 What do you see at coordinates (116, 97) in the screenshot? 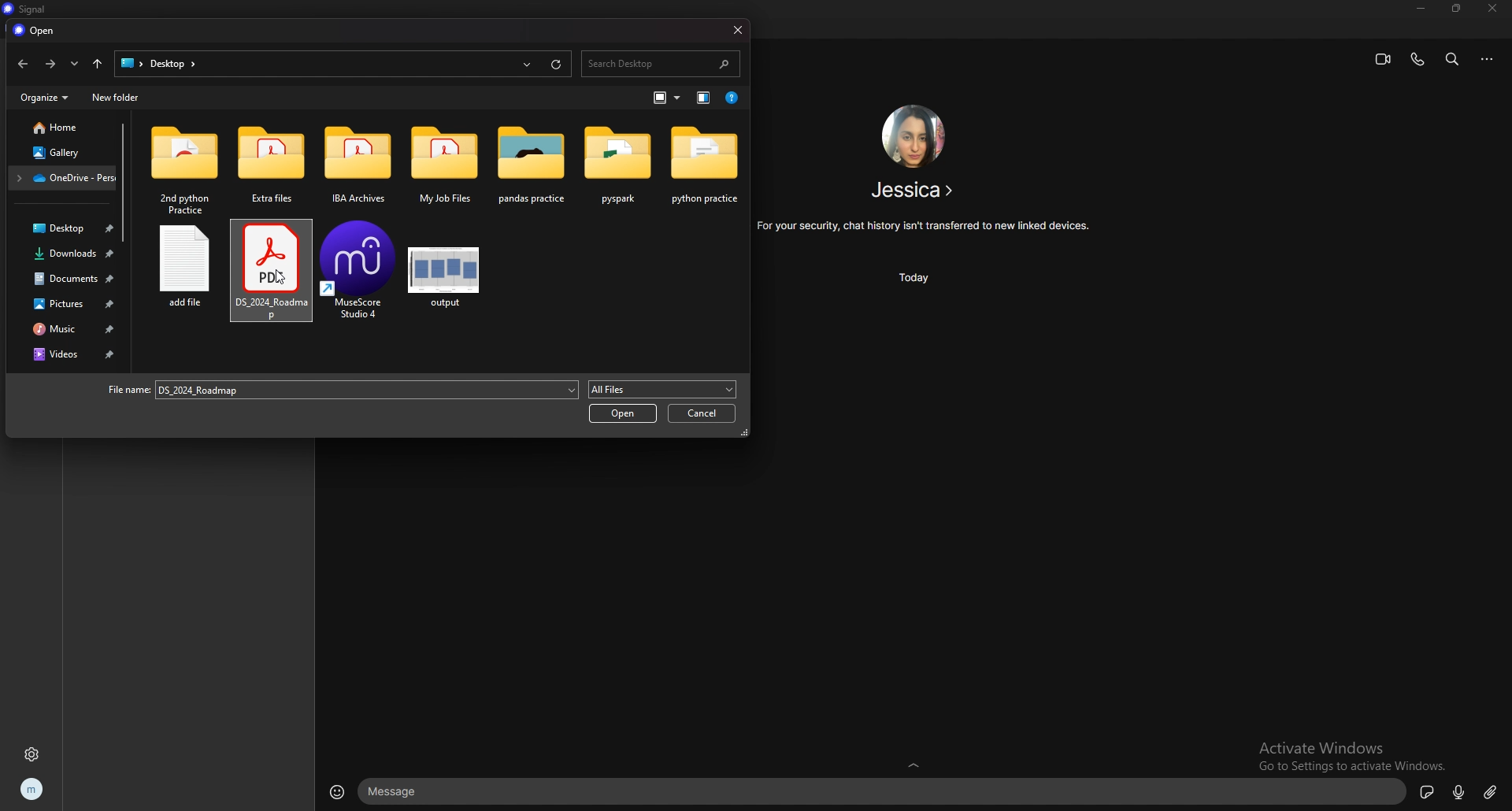
I see `new folder` at bounding box center [116, 97].